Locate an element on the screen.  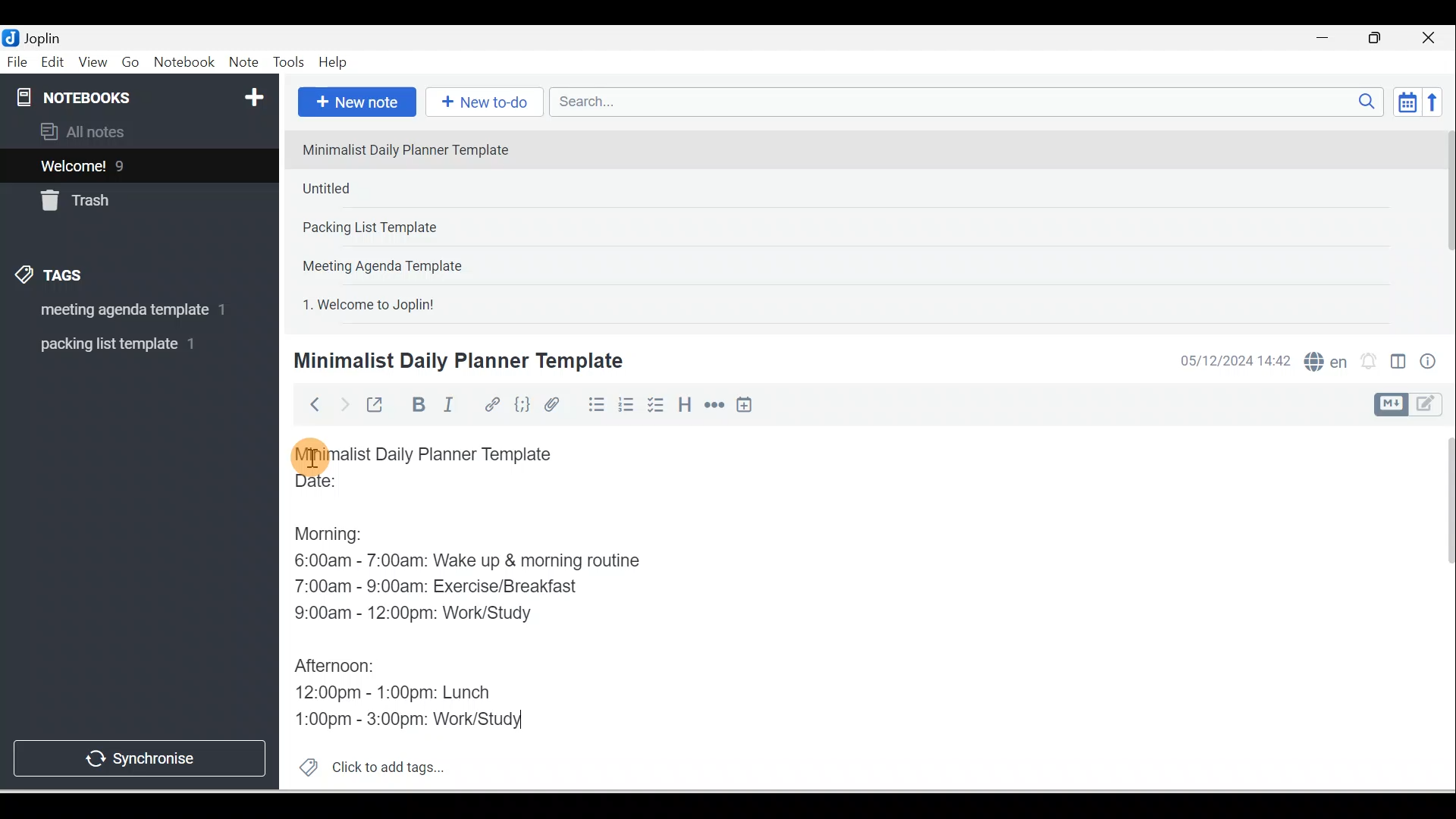
Synchronise is located at coordinates (138, 755).